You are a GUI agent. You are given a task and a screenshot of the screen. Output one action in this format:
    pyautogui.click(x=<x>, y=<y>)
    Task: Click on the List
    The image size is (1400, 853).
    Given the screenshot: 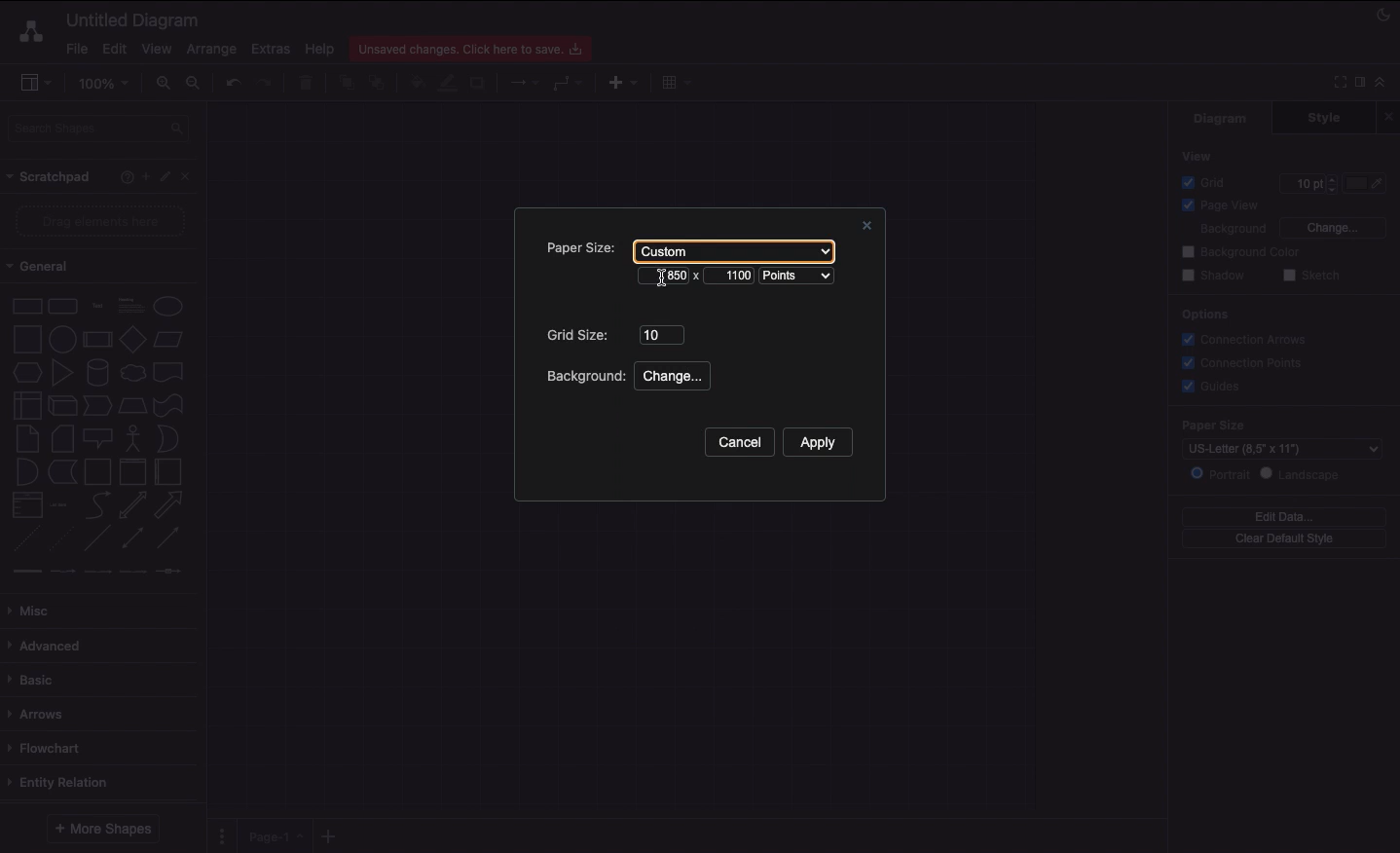 What is the action you would take?
    pyautogui.click(x=25, y=505)
    